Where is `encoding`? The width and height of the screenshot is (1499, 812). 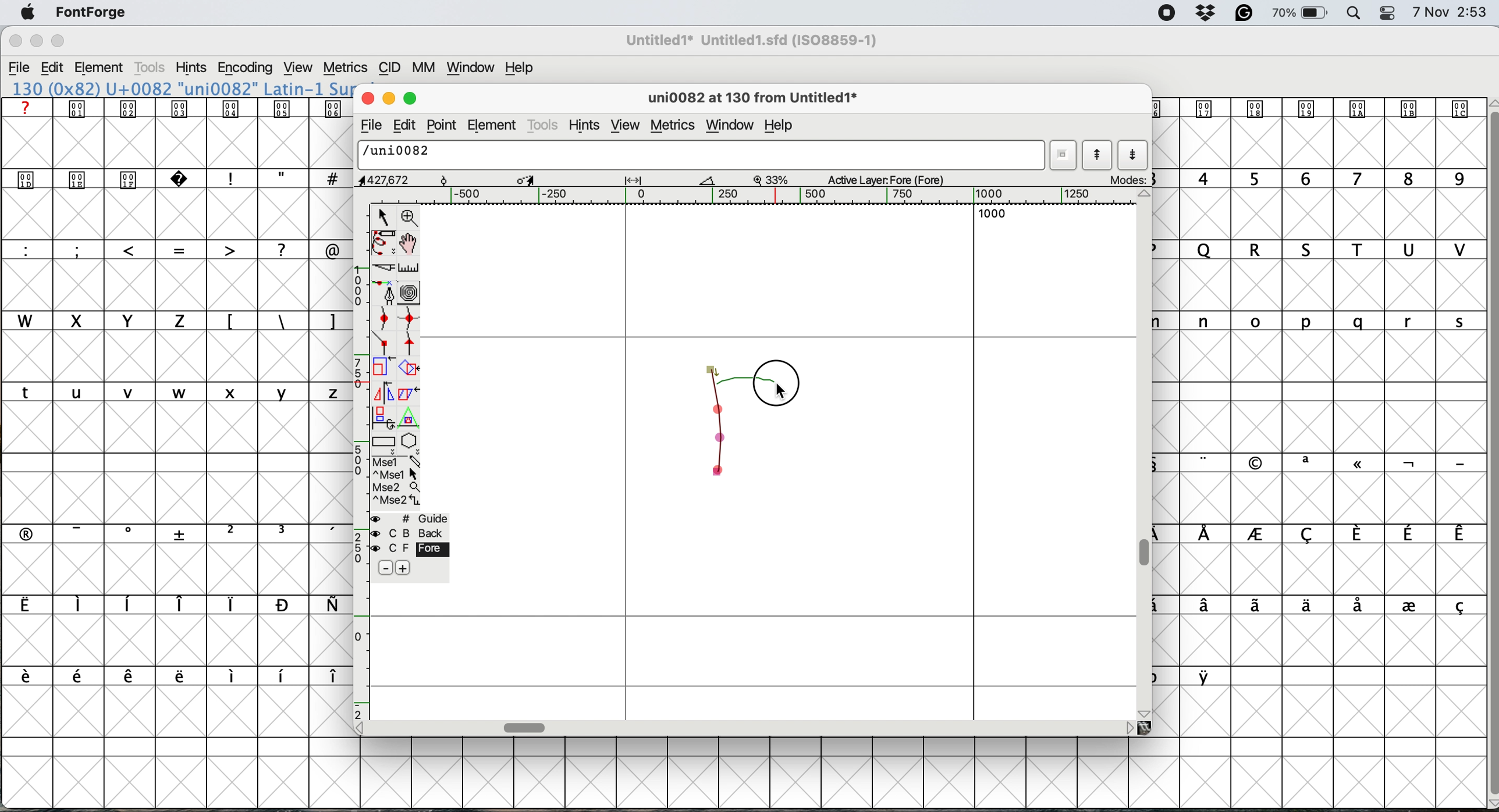 encoding is located at coordinates (244, 69).